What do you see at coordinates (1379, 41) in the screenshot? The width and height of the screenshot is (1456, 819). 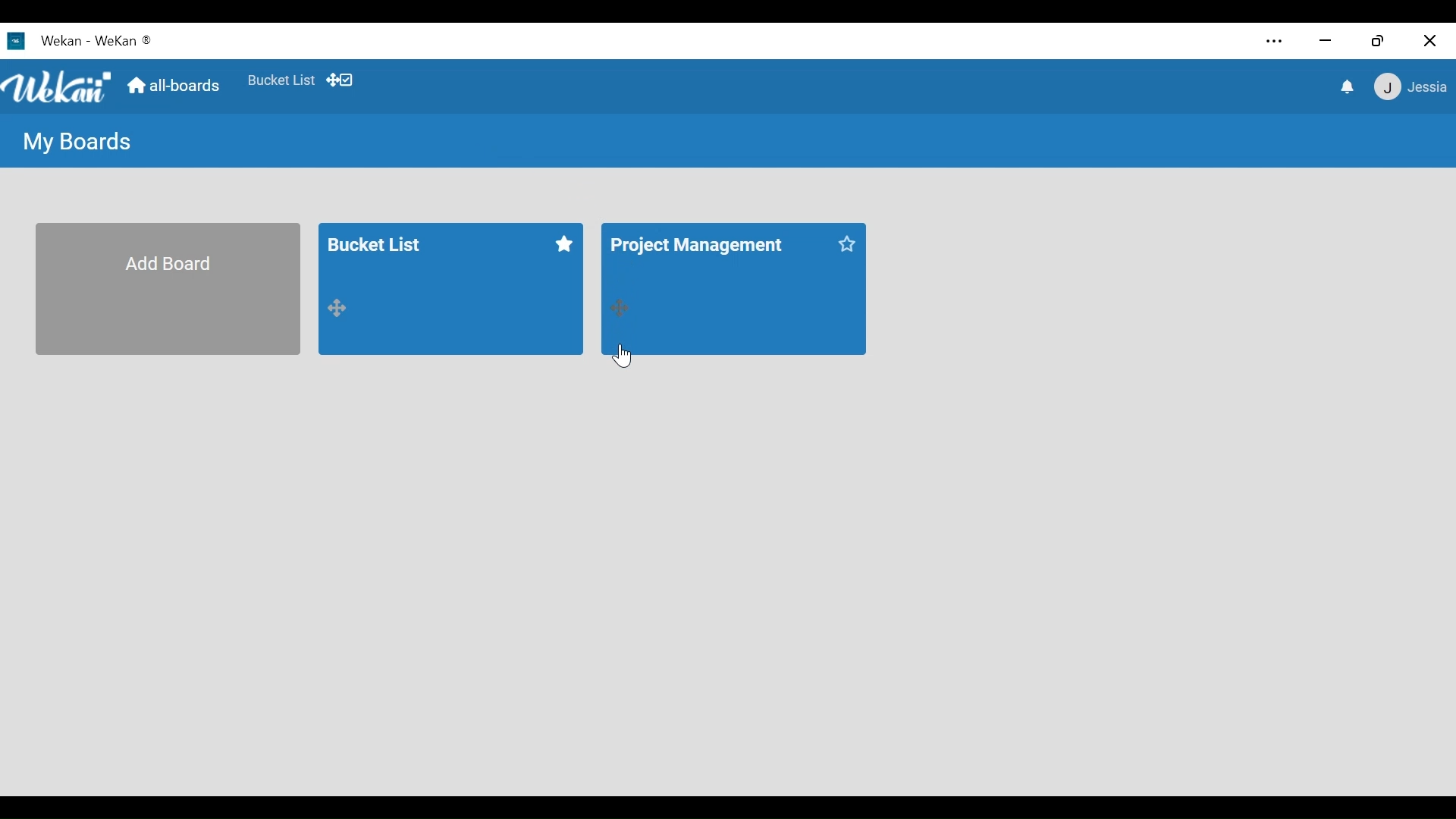 I see `restore` at bounding box center [1379, 41].